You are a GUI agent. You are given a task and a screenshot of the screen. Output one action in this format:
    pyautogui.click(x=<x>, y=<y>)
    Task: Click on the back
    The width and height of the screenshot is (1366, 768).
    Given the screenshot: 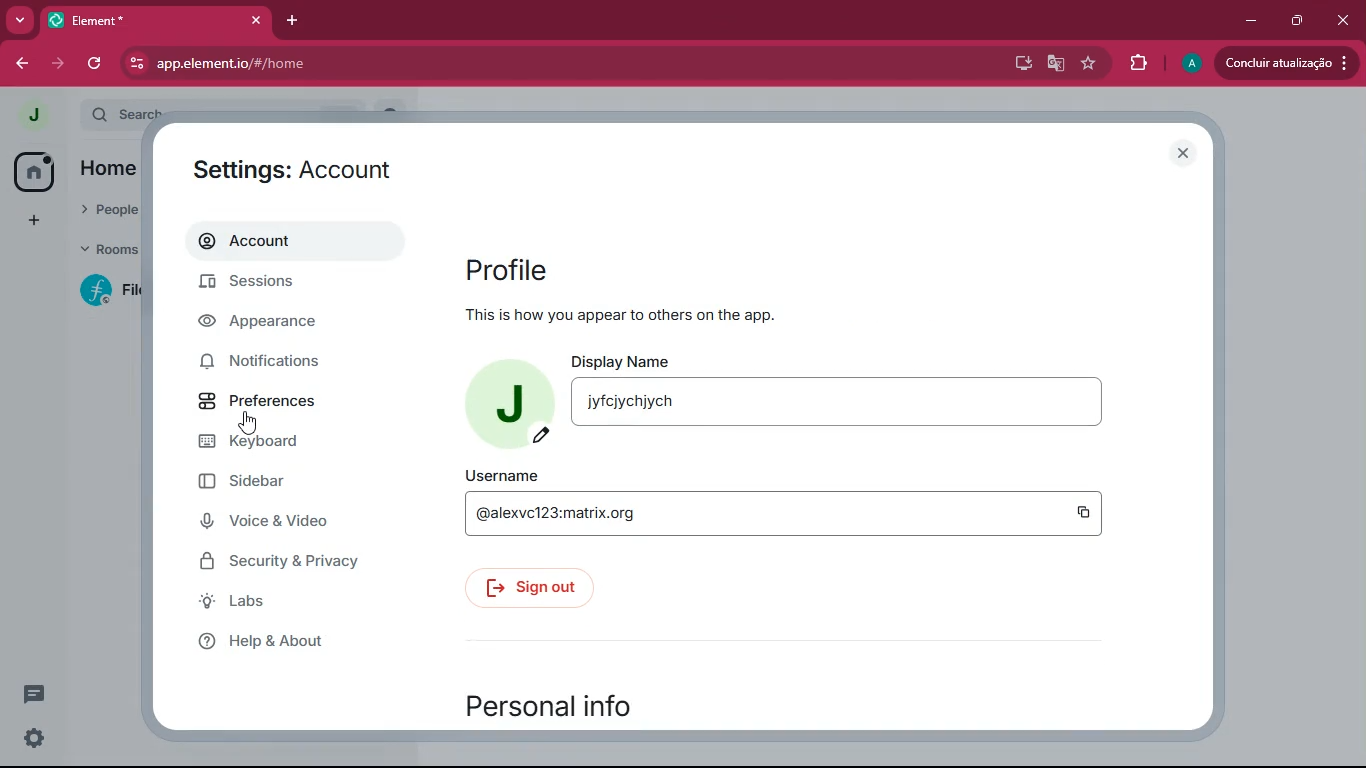 What is the action you would take?
    pyautogui.click(x=22, y=65)
    